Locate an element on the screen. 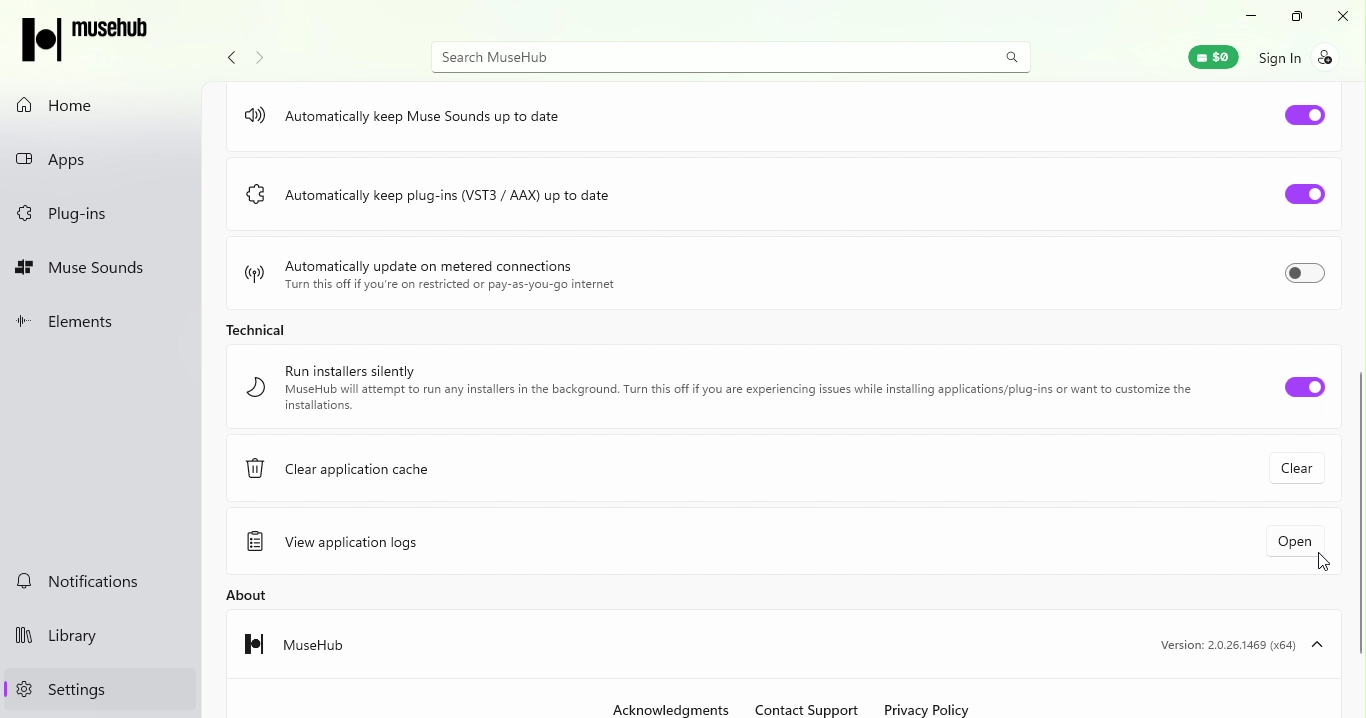  Toggle Automatically keep muse sounds up to date is located at coordinates (1304, 115).